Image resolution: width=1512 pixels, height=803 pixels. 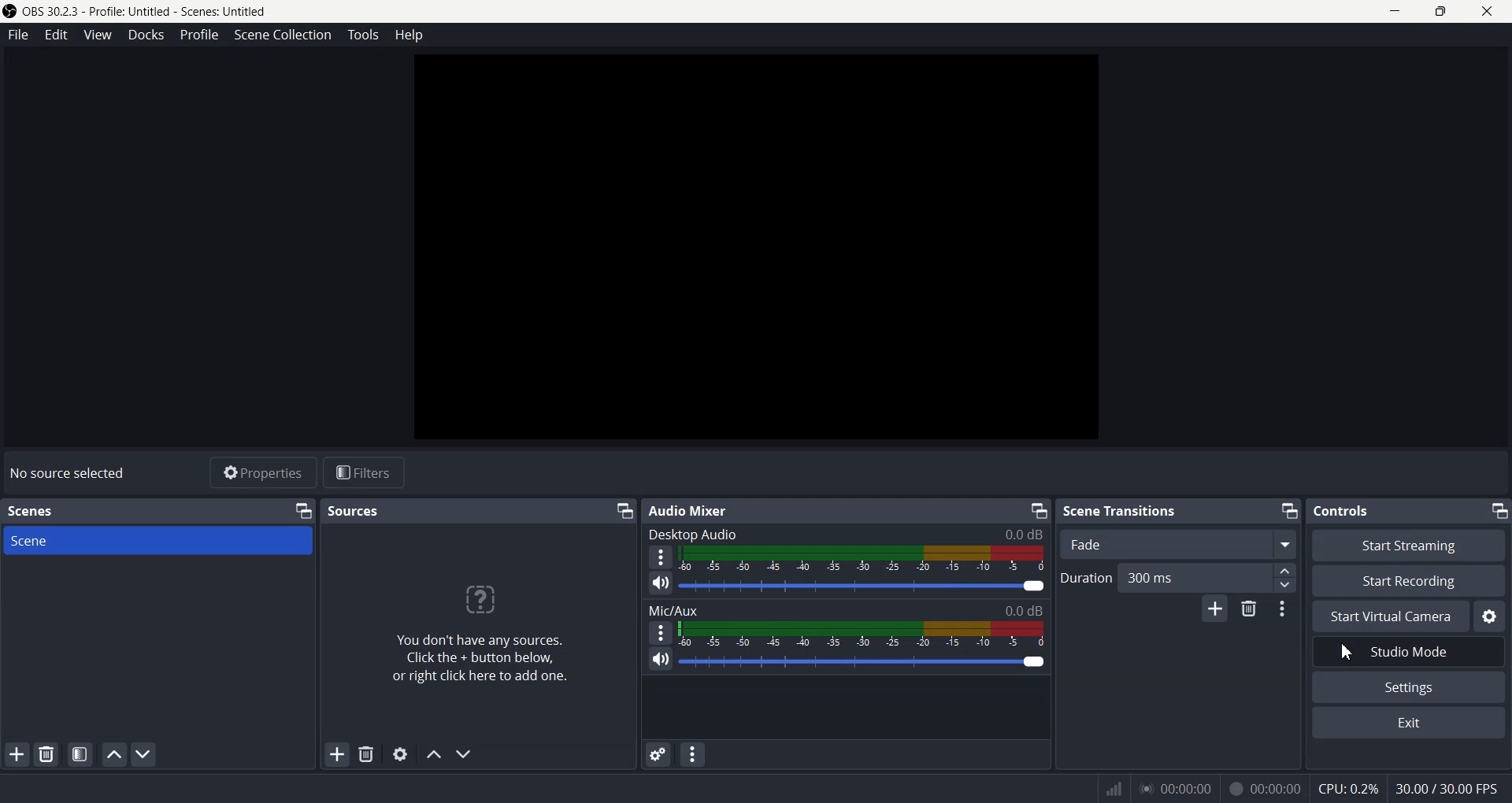 What do you see at coordinates (1456, 790) in the screenshot?
I see `30.00/30.00 FPS` at bounding box center [1456, 790].